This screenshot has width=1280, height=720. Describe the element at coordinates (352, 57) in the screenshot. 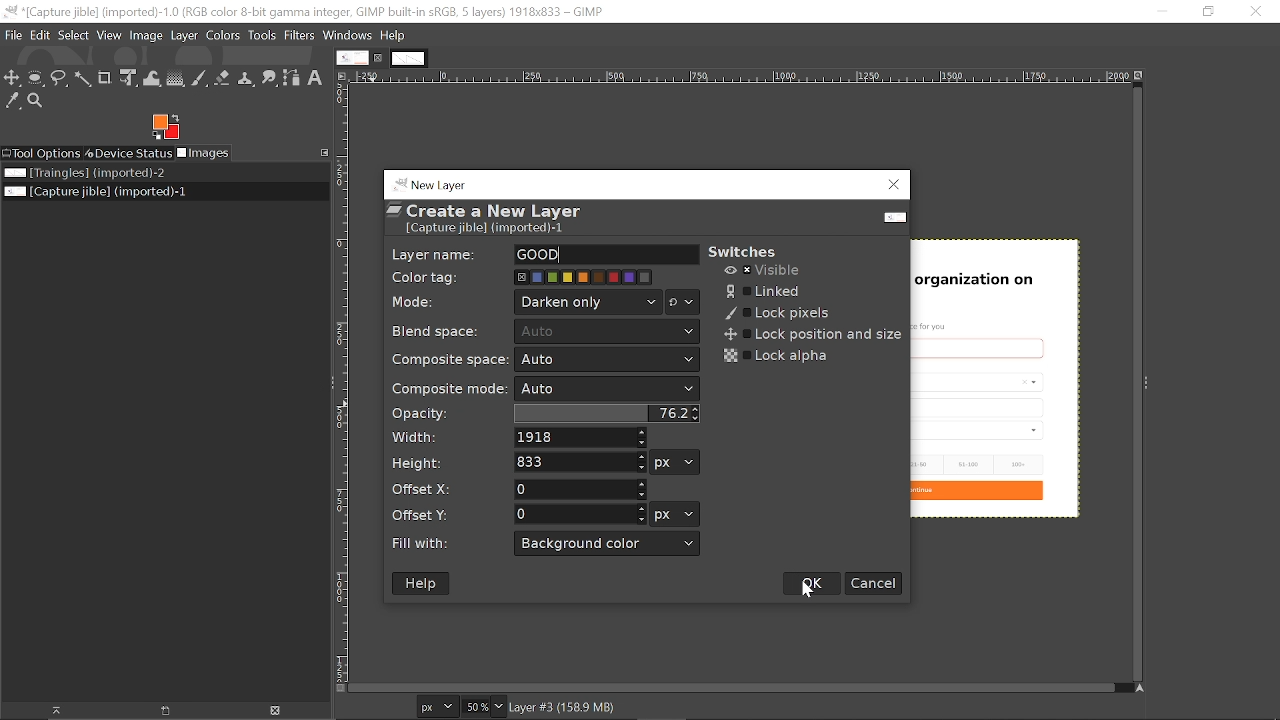

I see `Current tab` at that location.